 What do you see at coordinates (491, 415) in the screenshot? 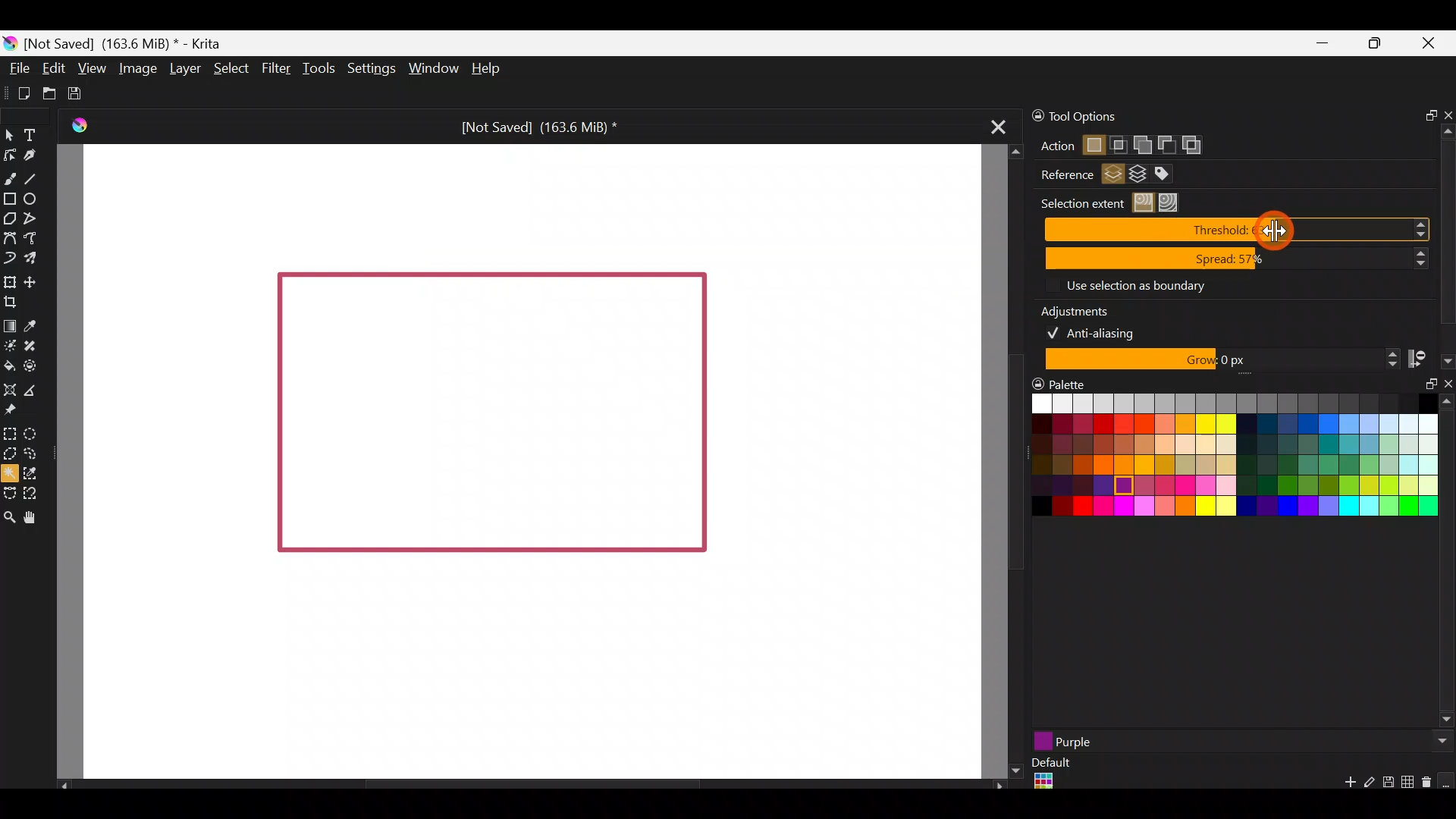
I see `Rectangle shape on Canvas` at bounding box center [491, 415].